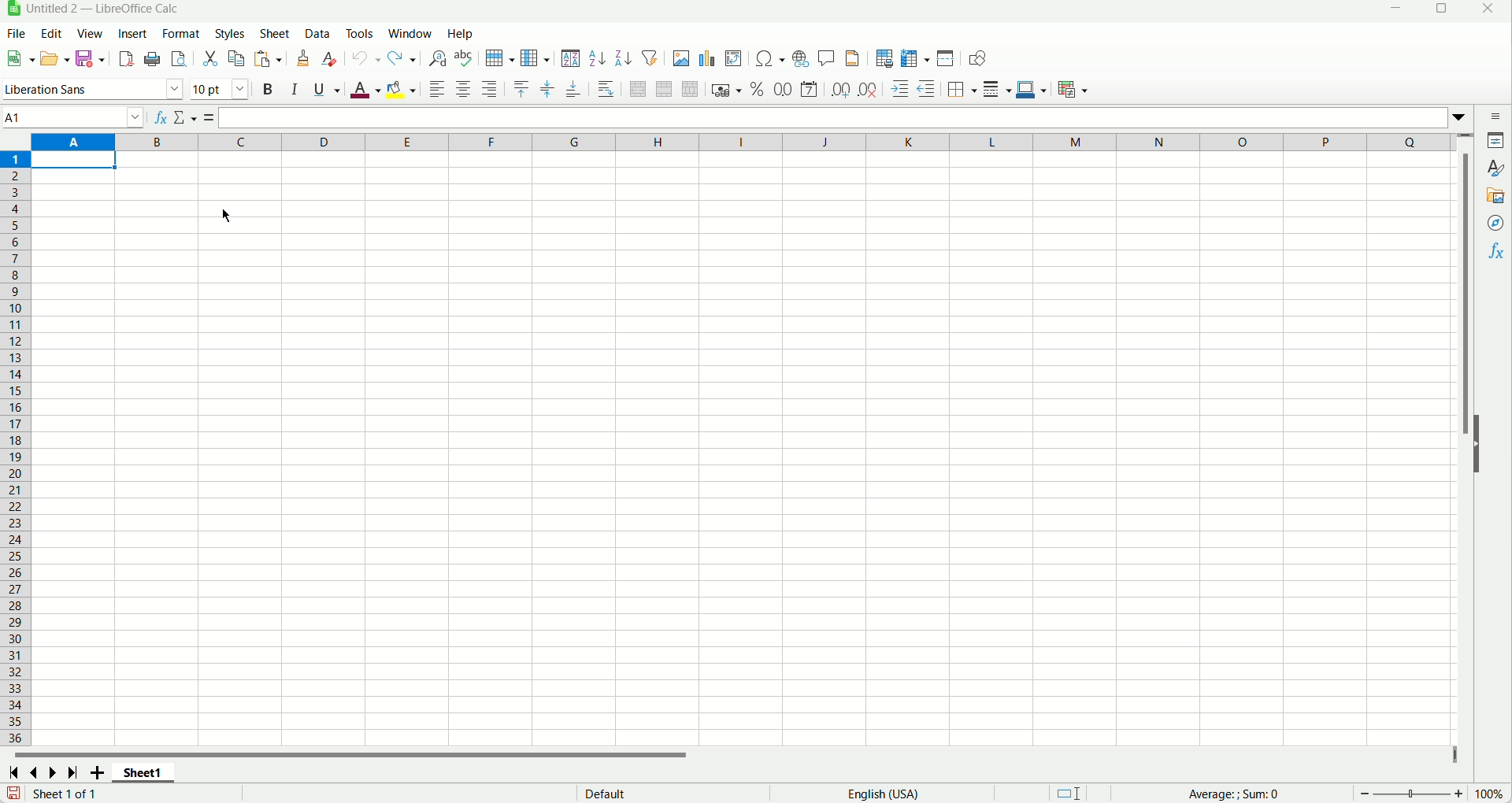 The height and width of the screenshot is (803, 1512). I want to click on Freeze rows and column, so click(915, 58).